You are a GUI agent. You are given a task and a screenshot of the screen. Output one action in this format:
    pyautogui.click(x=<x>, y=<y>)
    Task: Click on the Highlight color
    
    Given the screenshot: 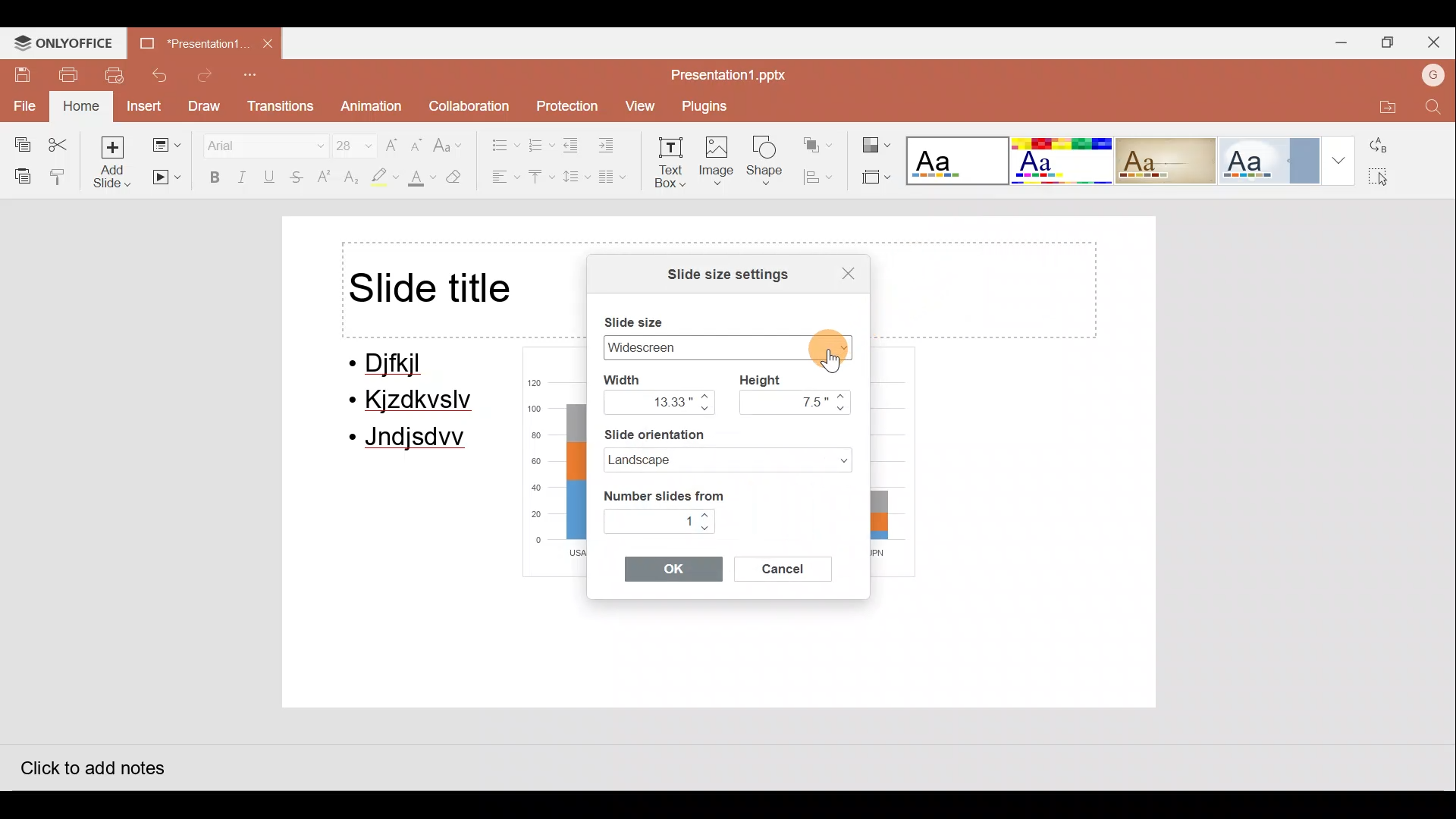 What is the action you would take?
    pyautogui.click(x=381, y=178)
    